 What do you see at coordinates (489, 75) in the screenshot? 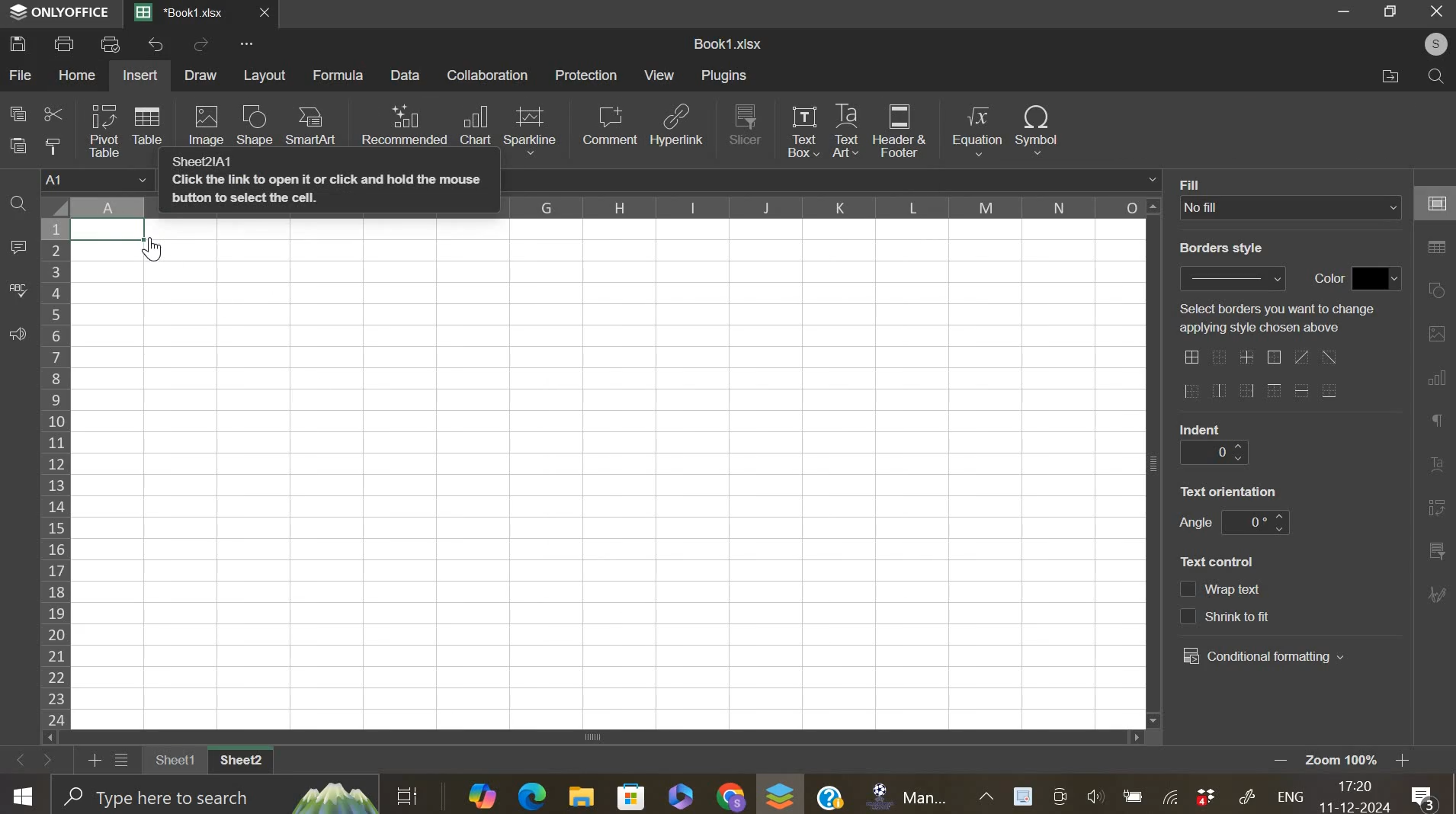
I see `collaboration` at bounding box center [489, 75].